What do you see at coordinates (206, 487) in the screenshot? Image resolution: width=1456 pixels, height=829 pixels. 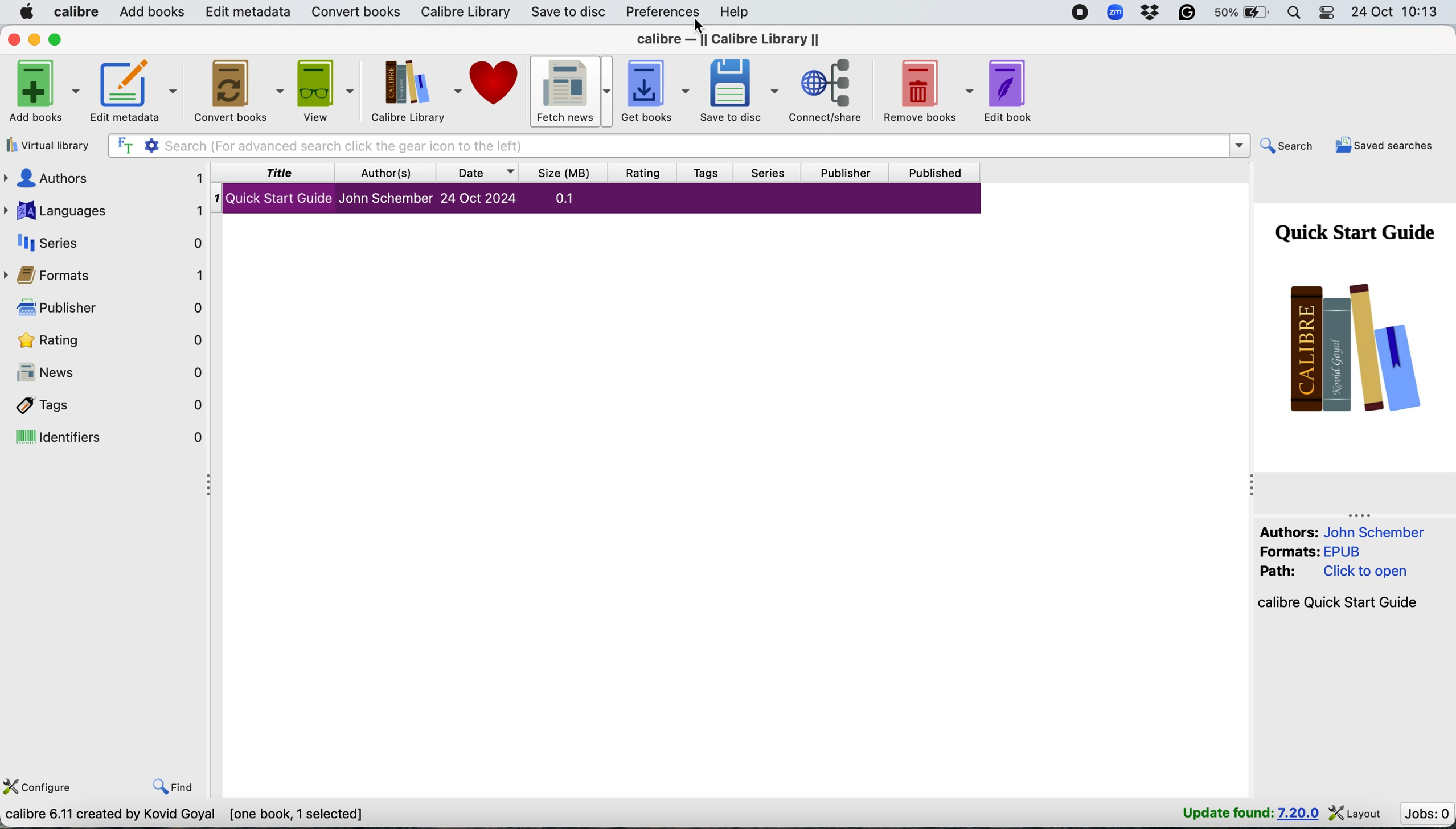 I see `collapse` at bounding box center [206, 487].